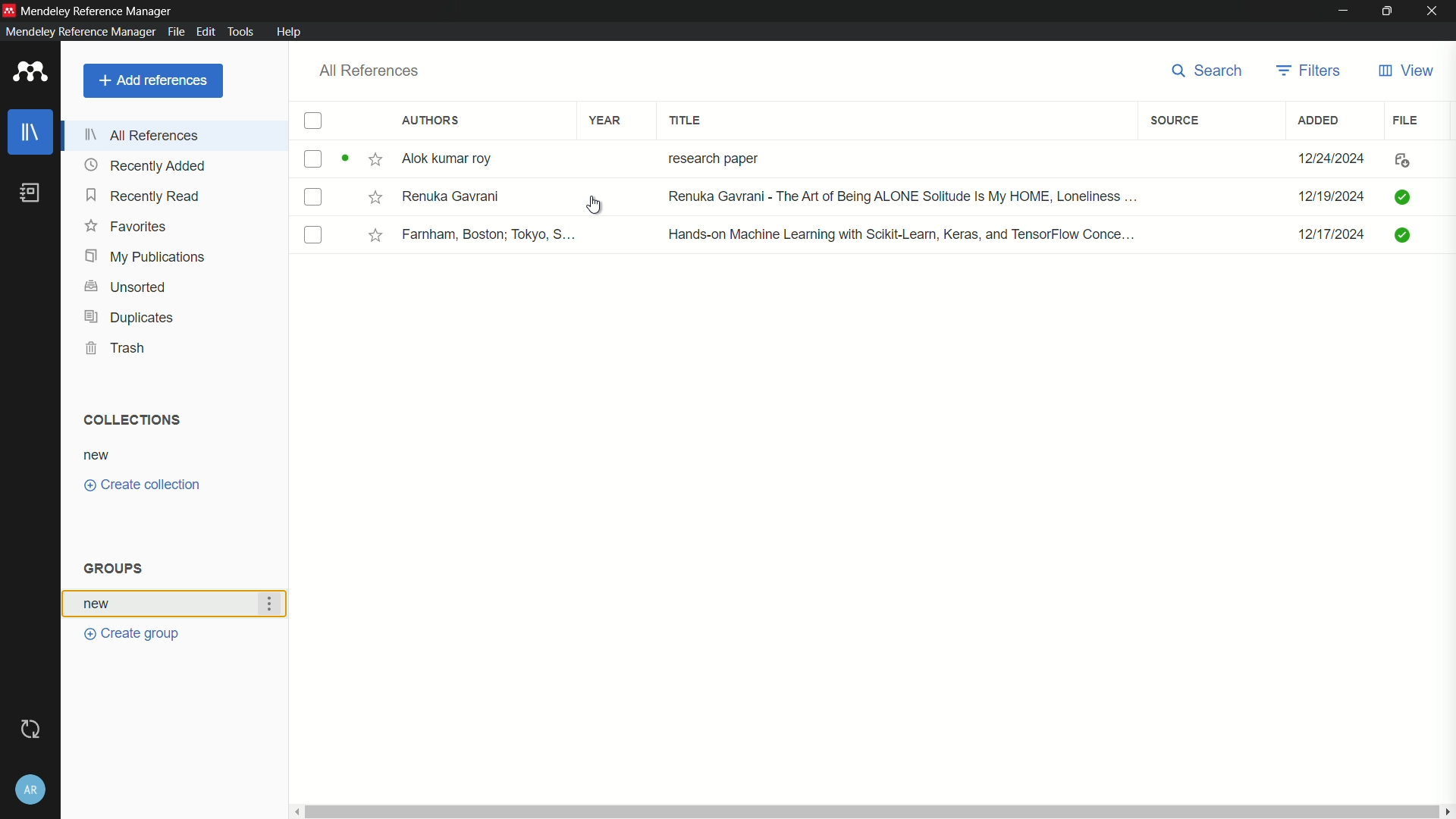 This screenshot has width=1456, height=819. I want to click on Star, so click(374, 196).